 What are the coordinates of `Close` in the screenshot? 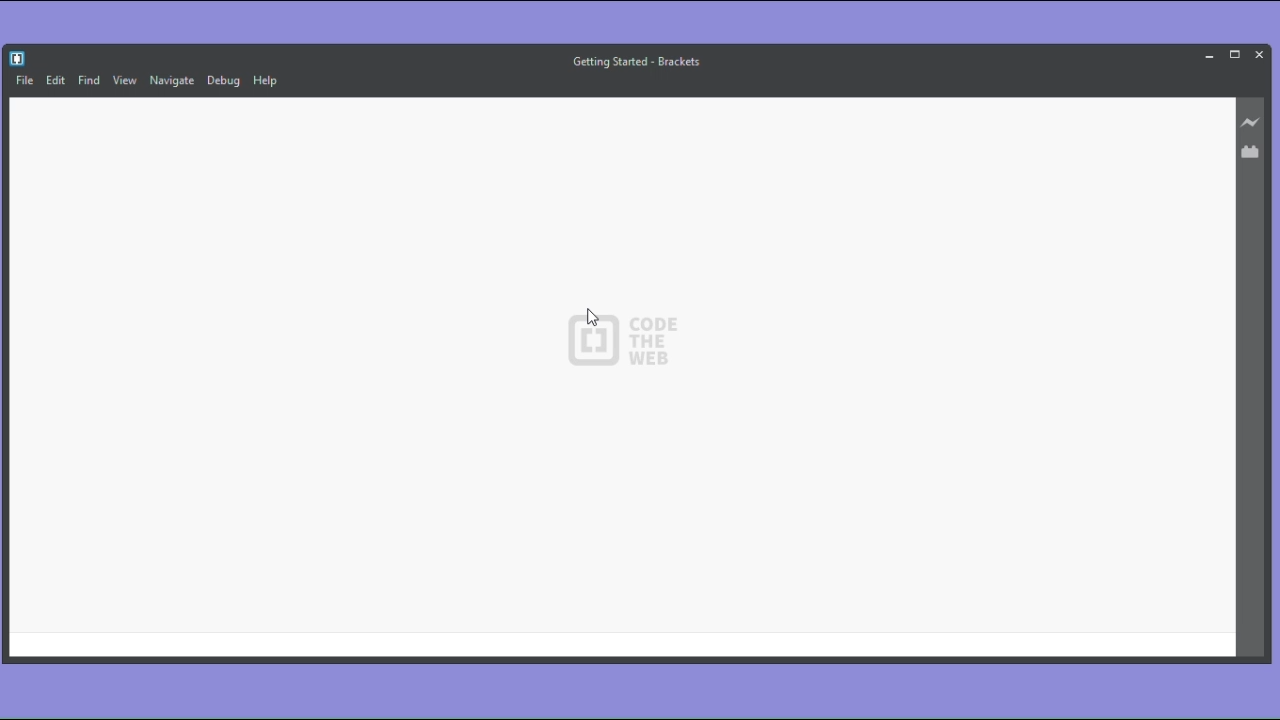 It's located at (1260, 53).